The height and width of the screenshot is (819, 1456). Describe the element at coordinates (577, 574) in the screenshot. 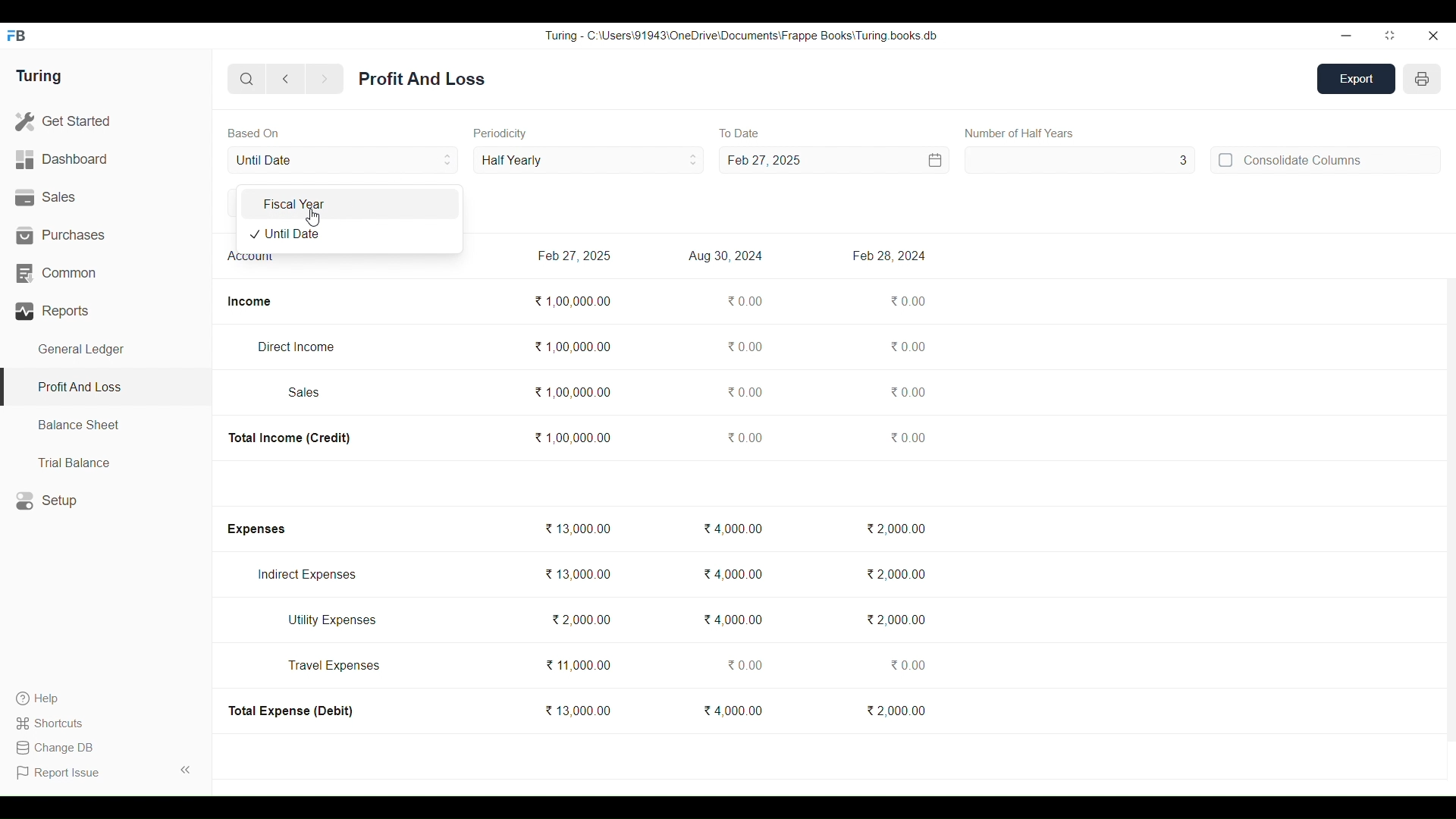

I see `13,000.00` at that location.